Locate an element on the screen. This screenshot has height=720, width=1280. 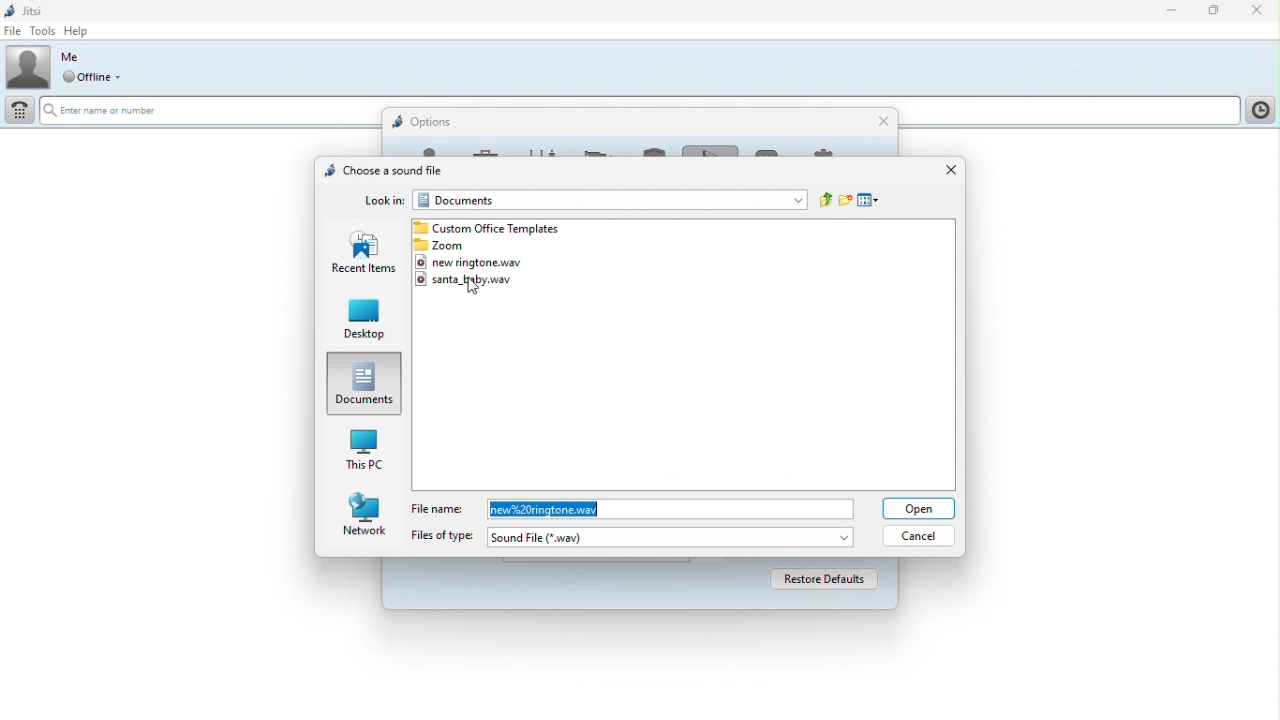
zoom is located at coordinates (462, 245).